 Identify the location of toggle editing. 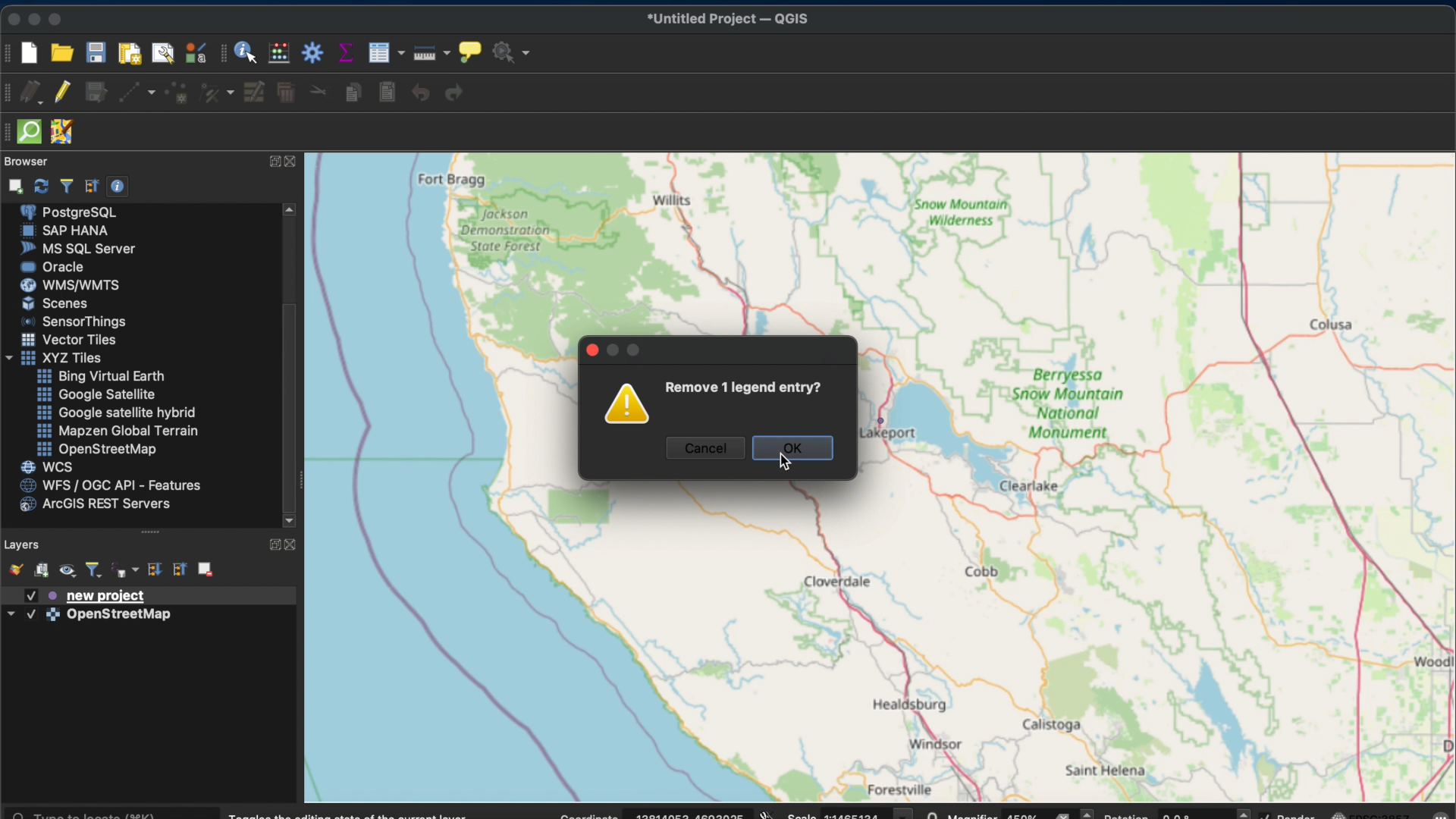
(62, 94).